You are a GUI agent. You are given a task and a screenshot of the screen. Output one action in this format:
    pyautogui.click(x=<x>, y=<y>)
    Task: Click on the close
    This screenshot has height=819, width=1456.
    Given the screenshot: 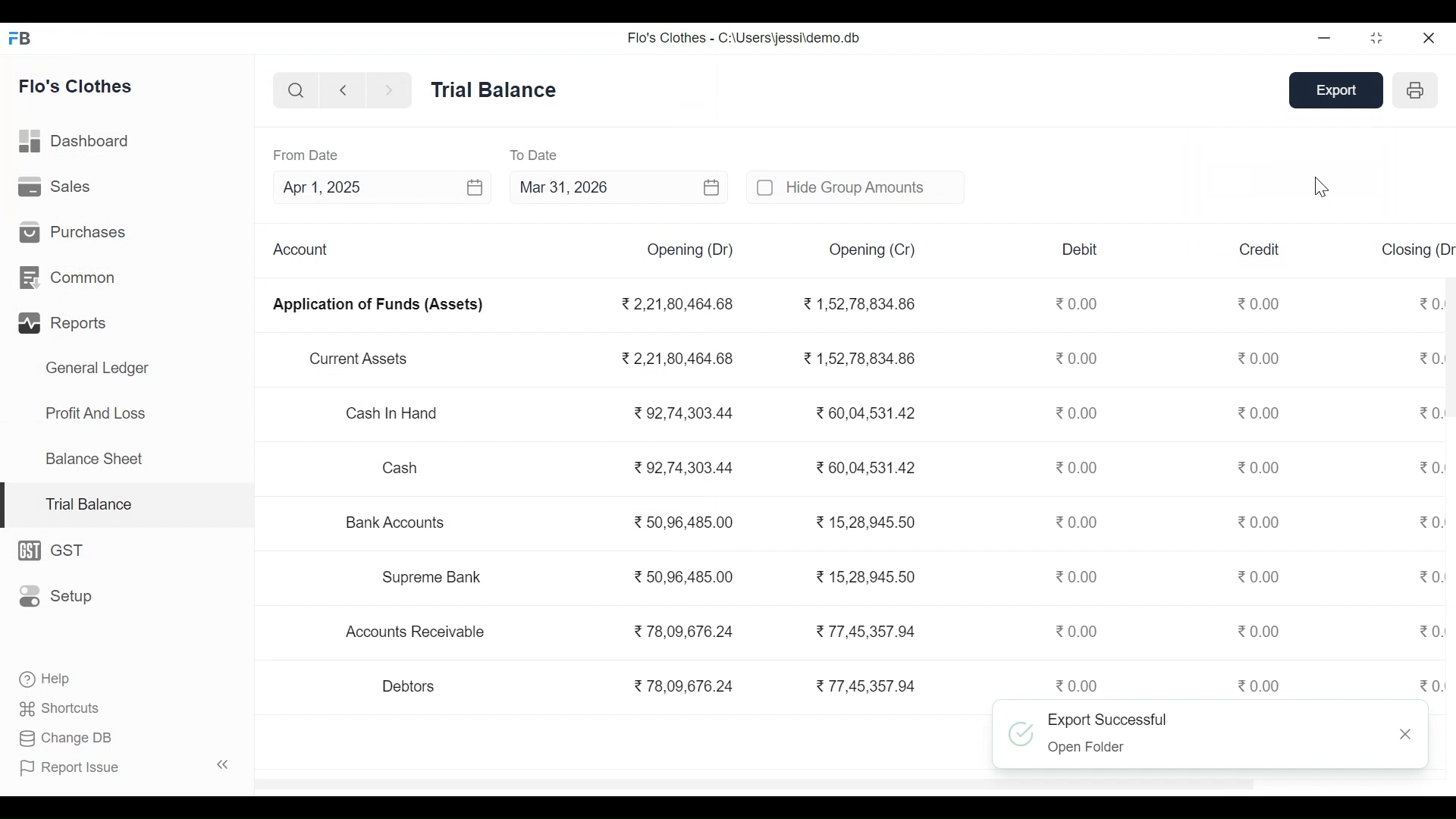 What is the action you would take?
    pyautogui.click(x=1408, y=735)
    